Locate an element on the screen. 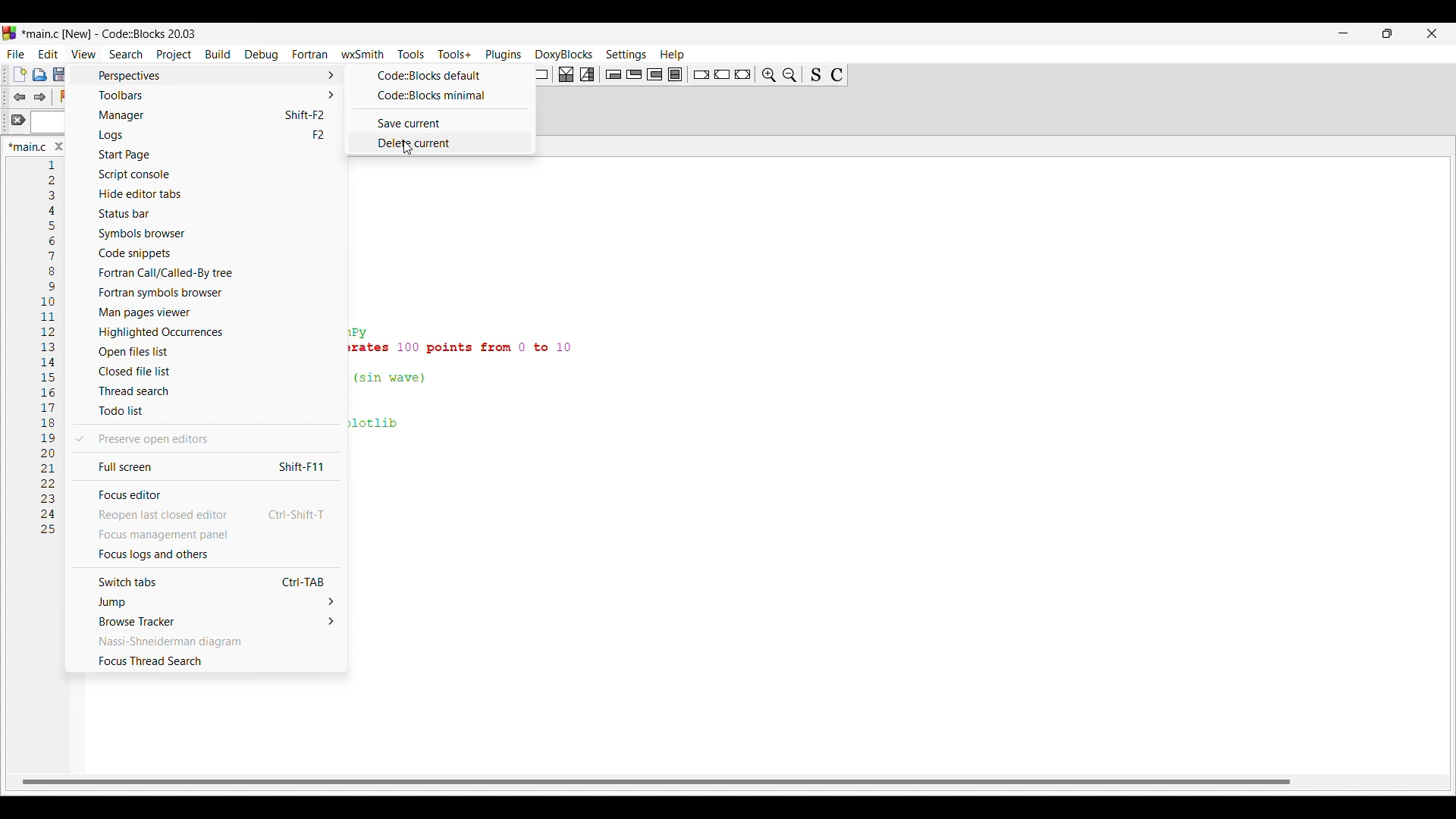  Persoective options is located at coordinates (211, 76).